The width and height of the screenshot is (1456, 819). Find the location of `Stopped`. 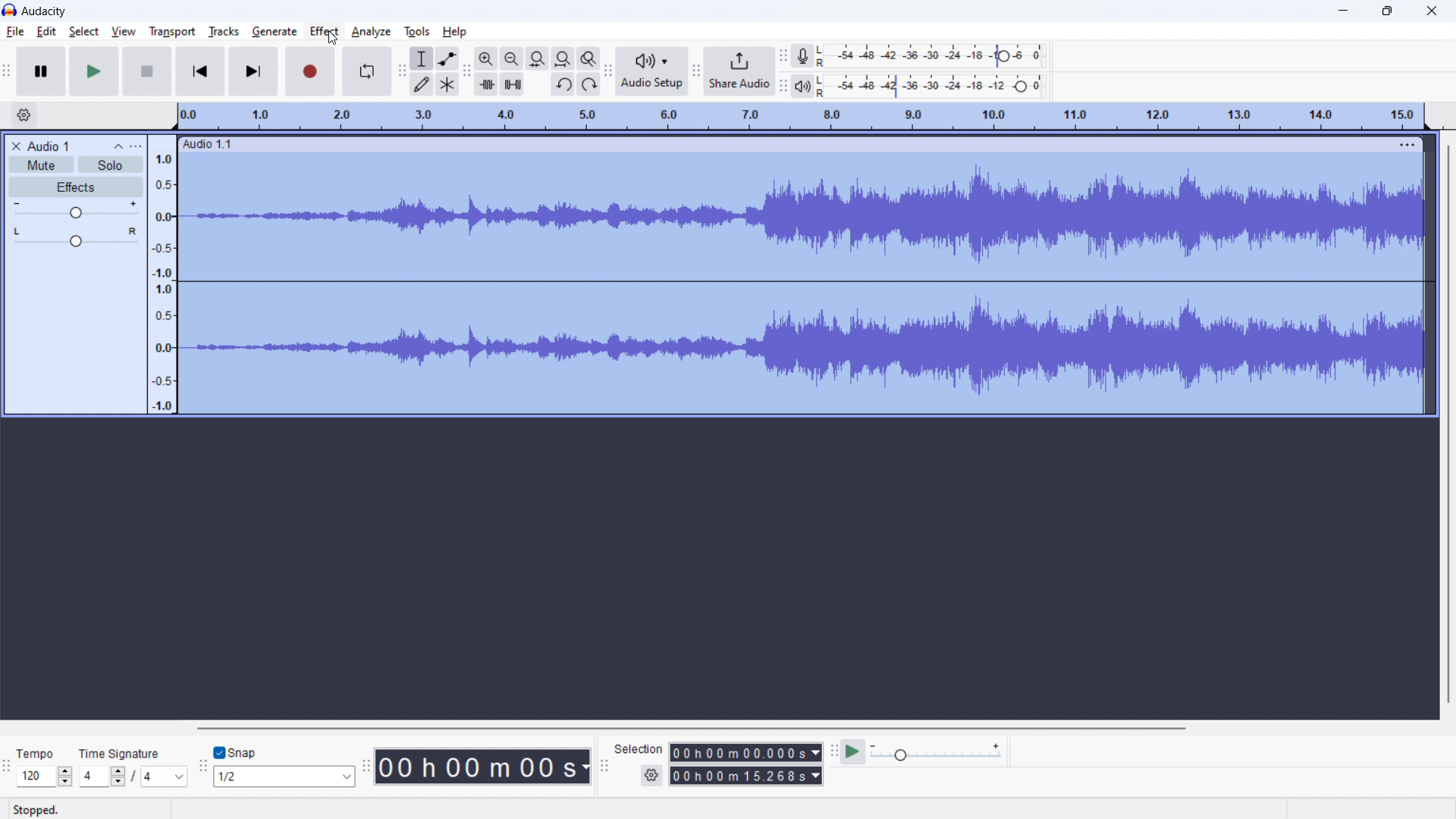

Stopped is located at coordinates (46, 808).